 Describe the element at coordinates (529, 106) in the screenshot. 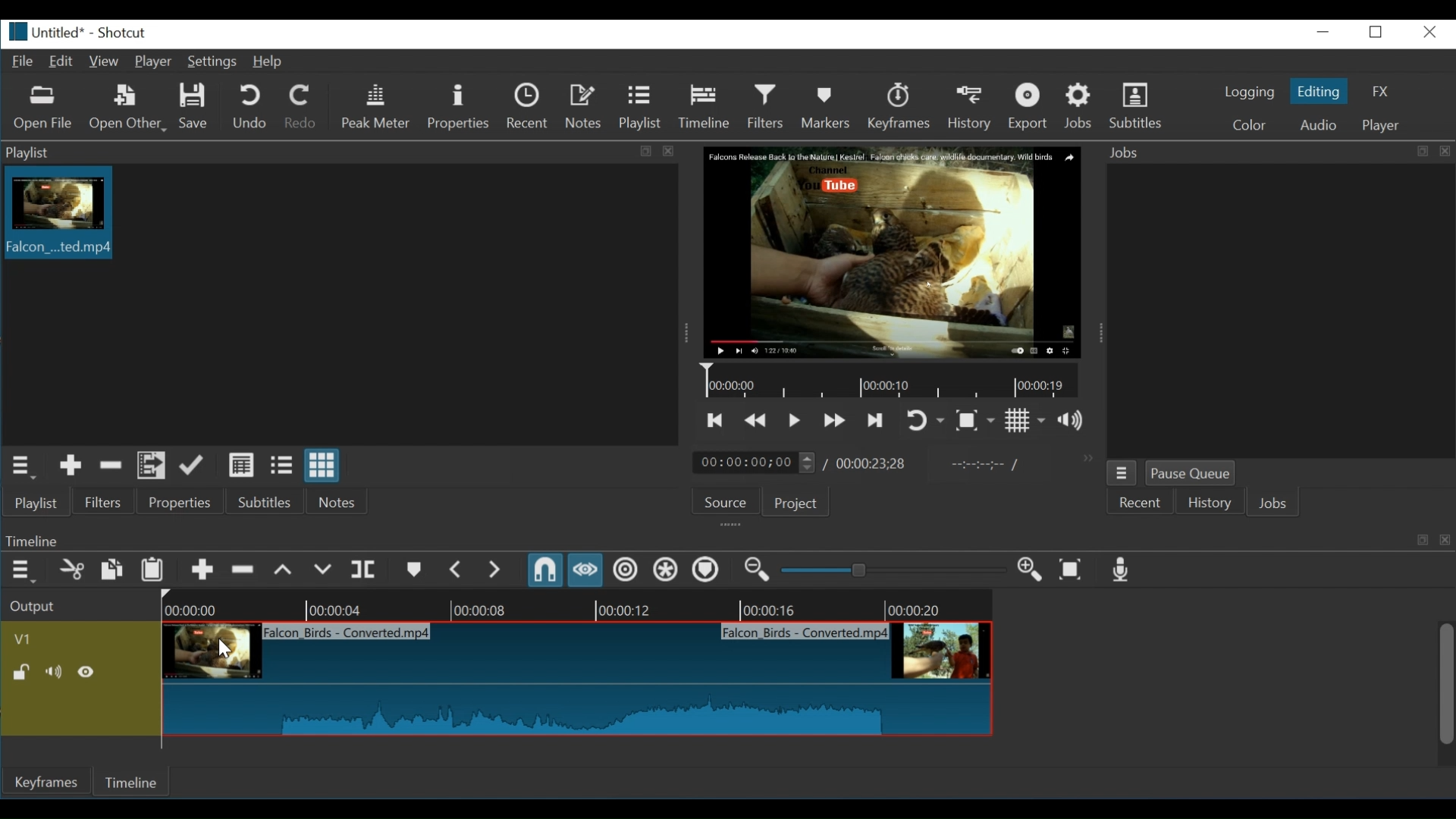

I see `Recent` at that location.